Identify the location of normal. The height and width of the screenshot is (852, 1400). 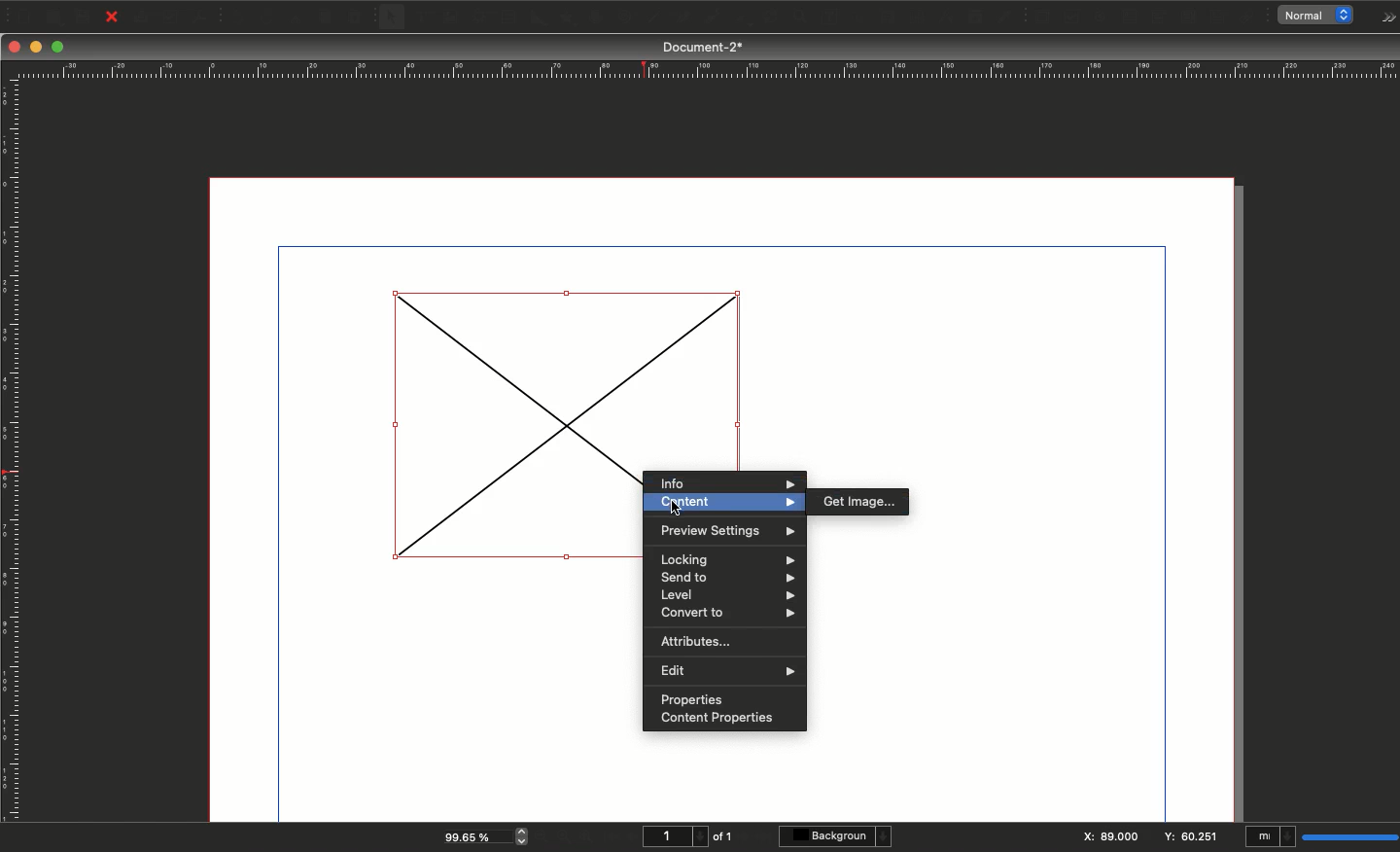
(1320, 16).